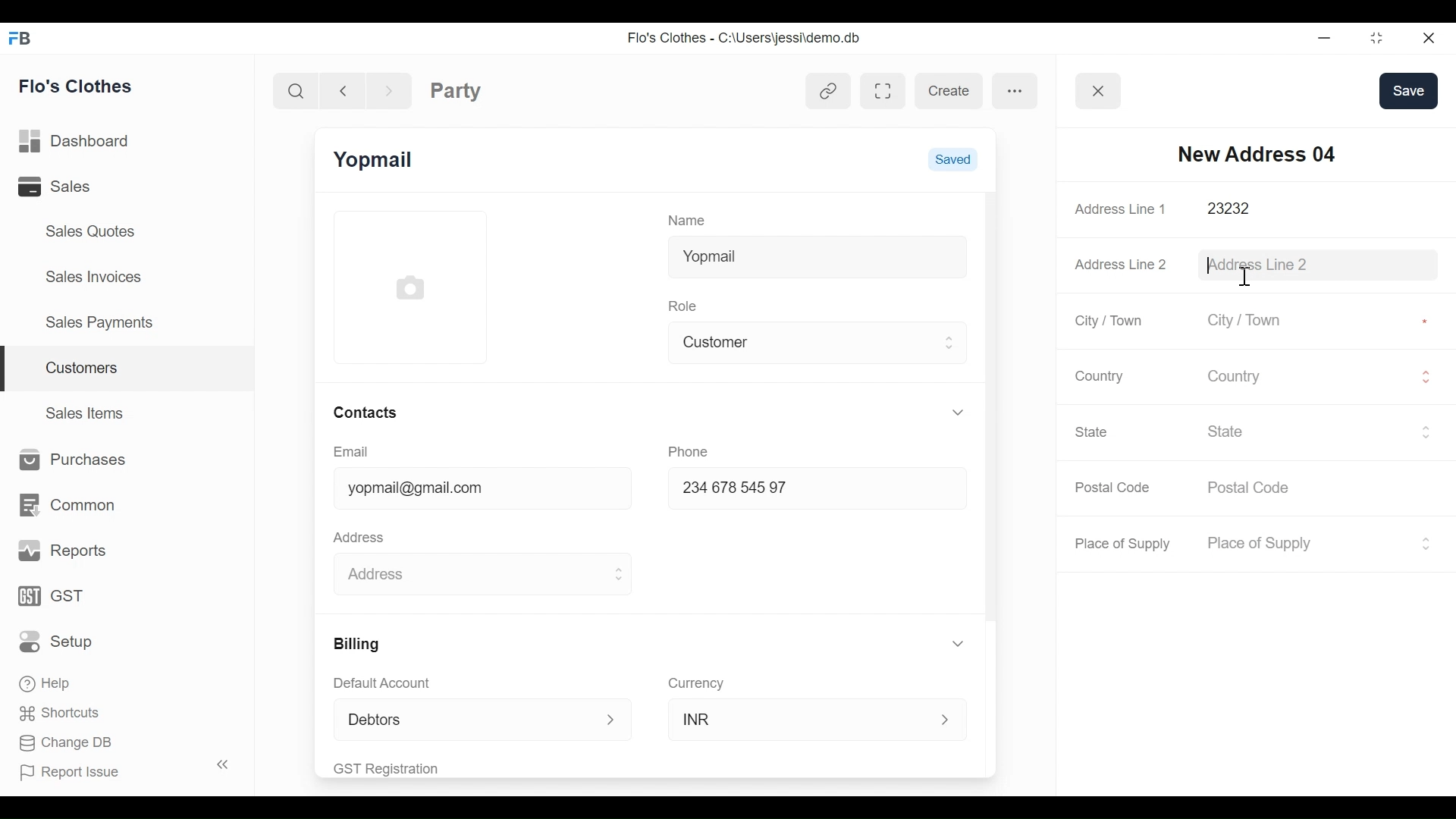 The height and width of the screenshot is (819, 1456). Describe the element at coordinates (1372, 38) in the screenshot. I see `Restore` at that location.